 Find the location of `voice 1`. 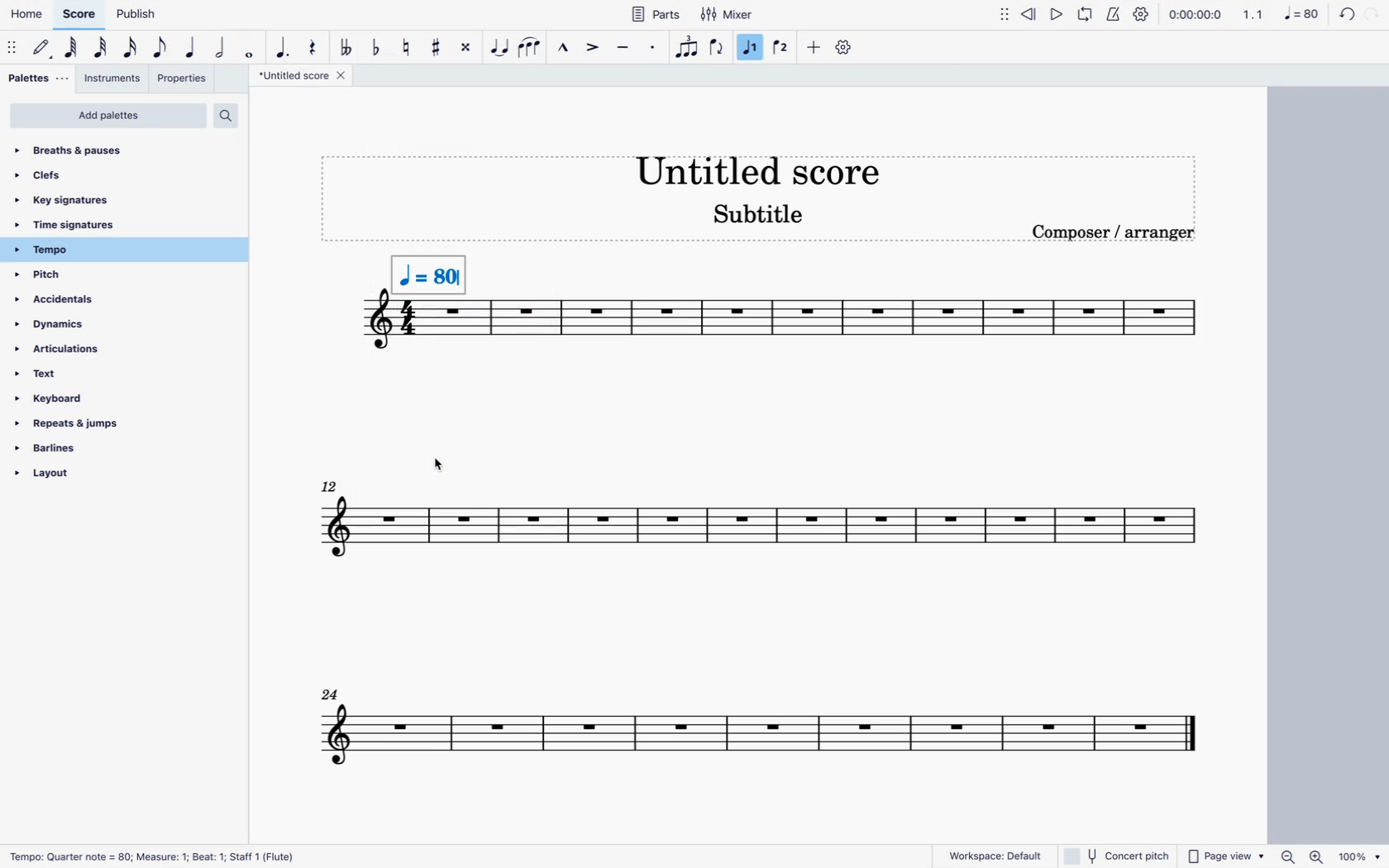

voice 1 is located at coordinates (752, 47).